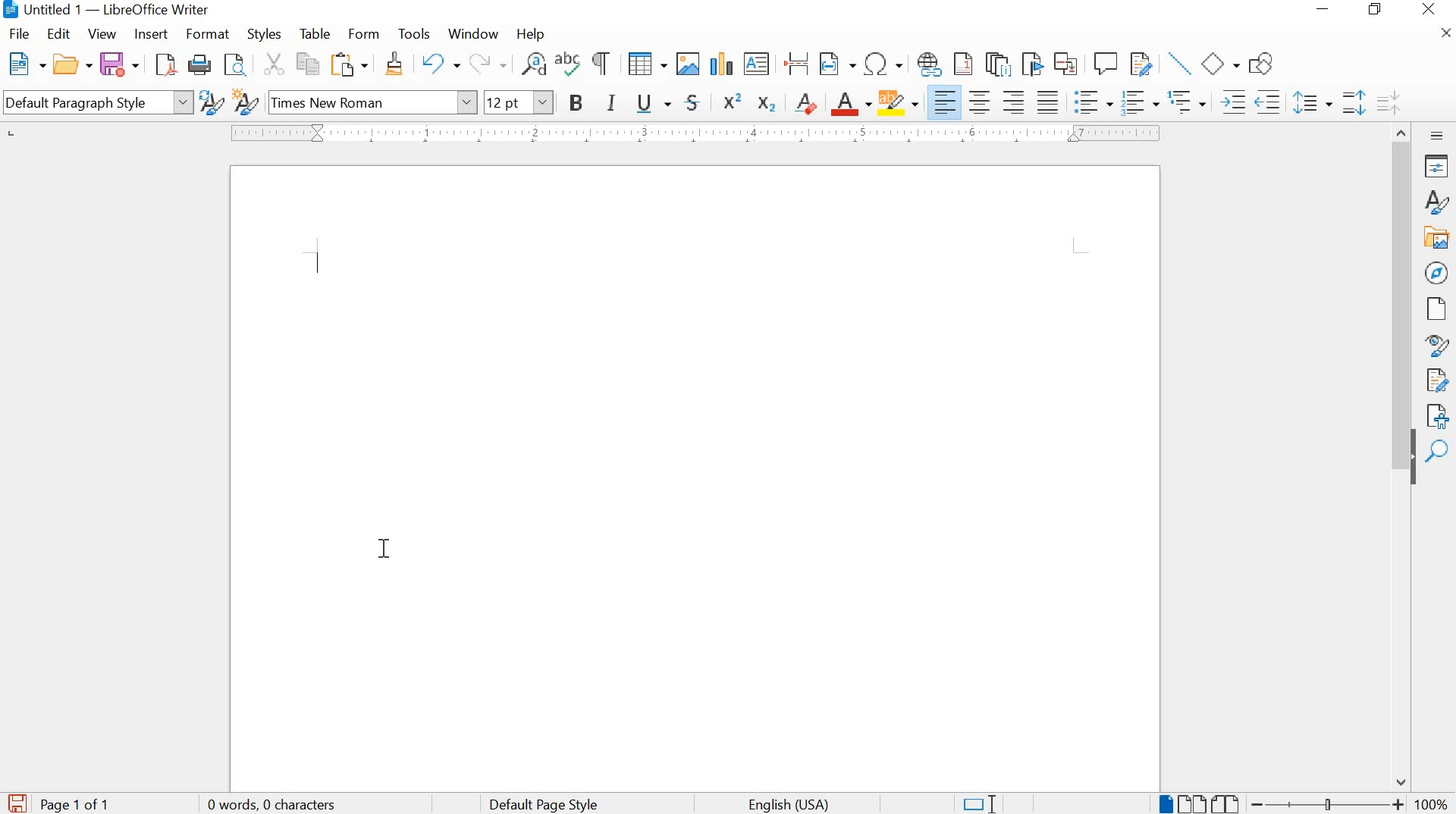 The width and height of the screenshot is (1456, 814). Describe the element at coordinates (1264, 61) in the screenshot. I see `SHOW DRAW FUNCTIONS` at that location.